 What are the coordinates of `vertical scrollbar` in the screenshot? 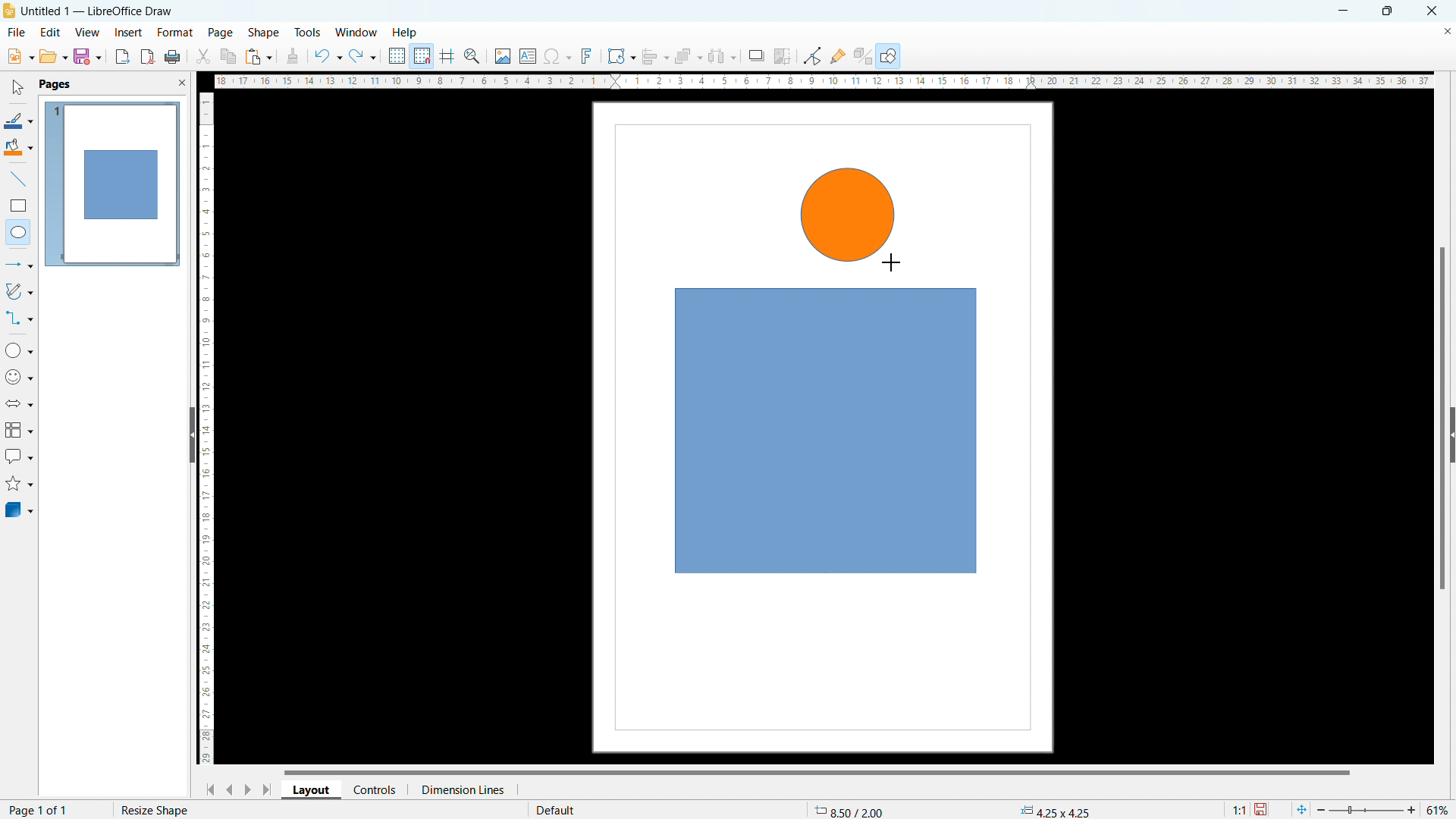 It's located at (1443, 420).